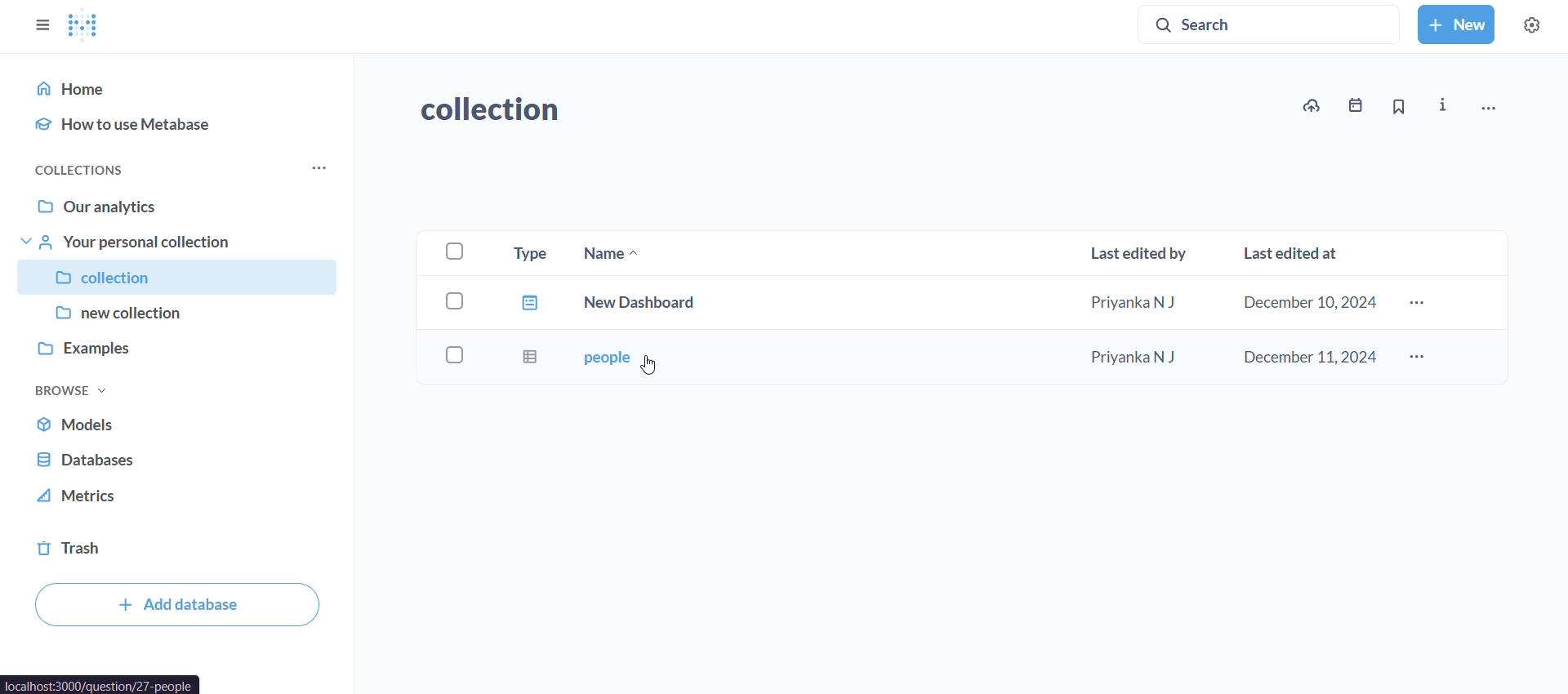 This screenshot has width=1568, height=694. Describe the element at coordinates (1129, 358) in the screenshot. I see `Priyanka N J` at that location.